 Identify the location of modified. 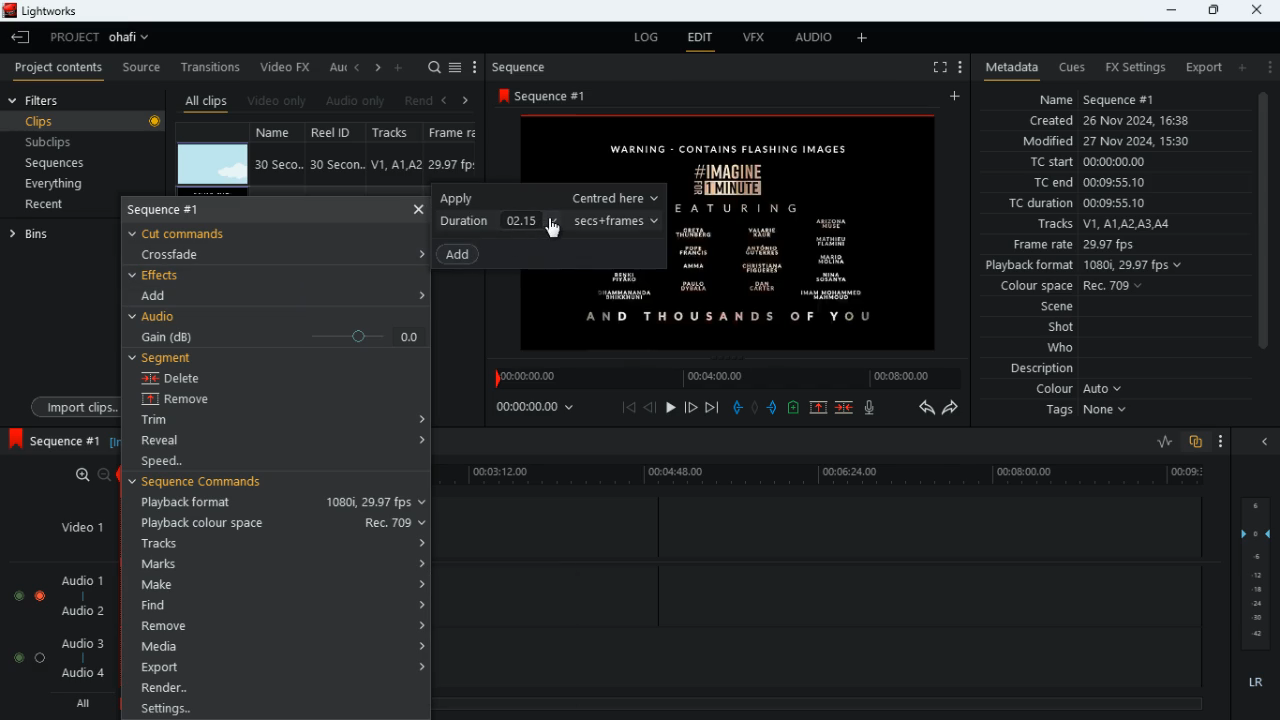
(1119, 143).